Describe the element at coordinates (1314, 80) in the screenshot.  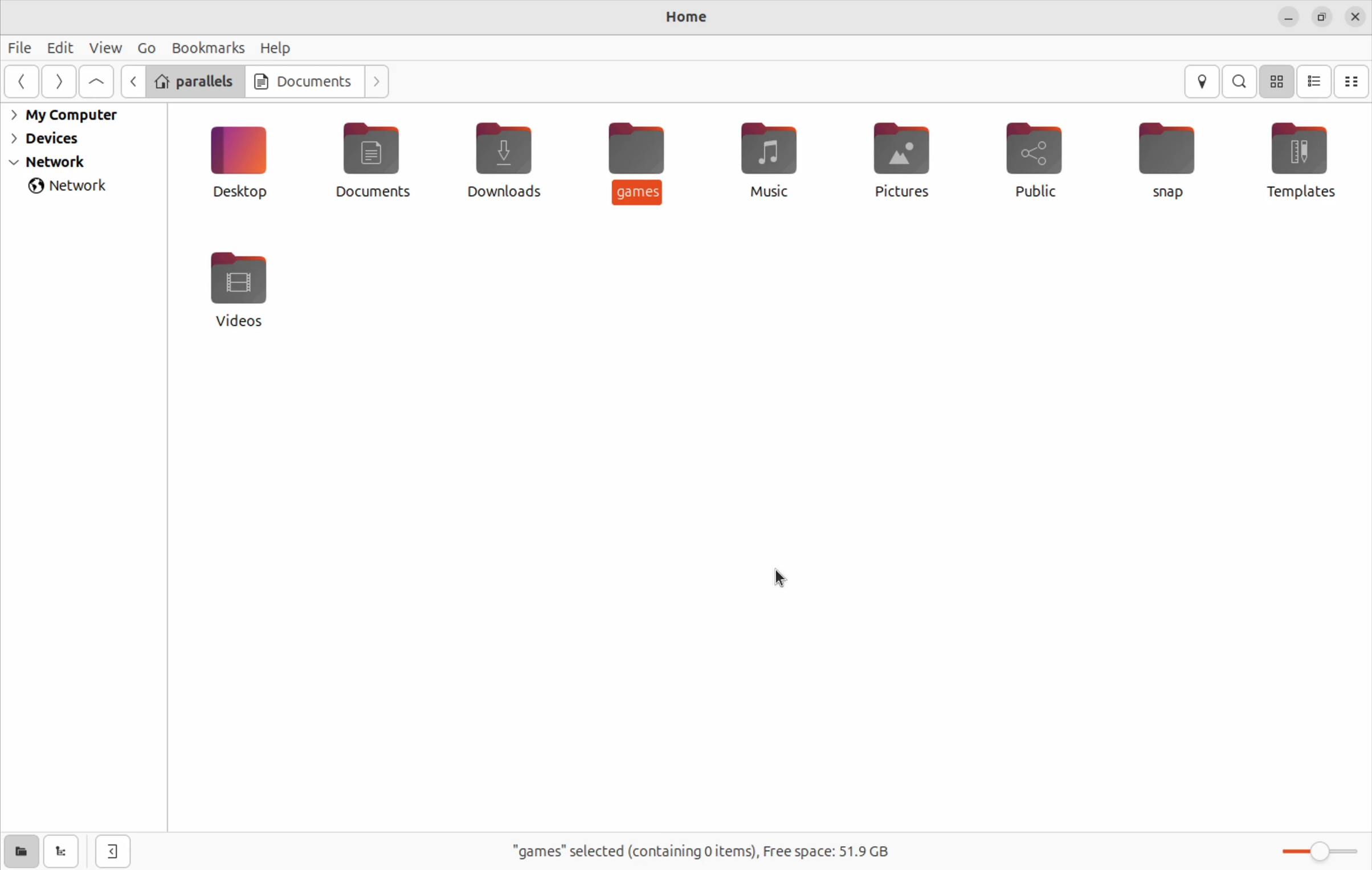
I see `bullet view` at that location.